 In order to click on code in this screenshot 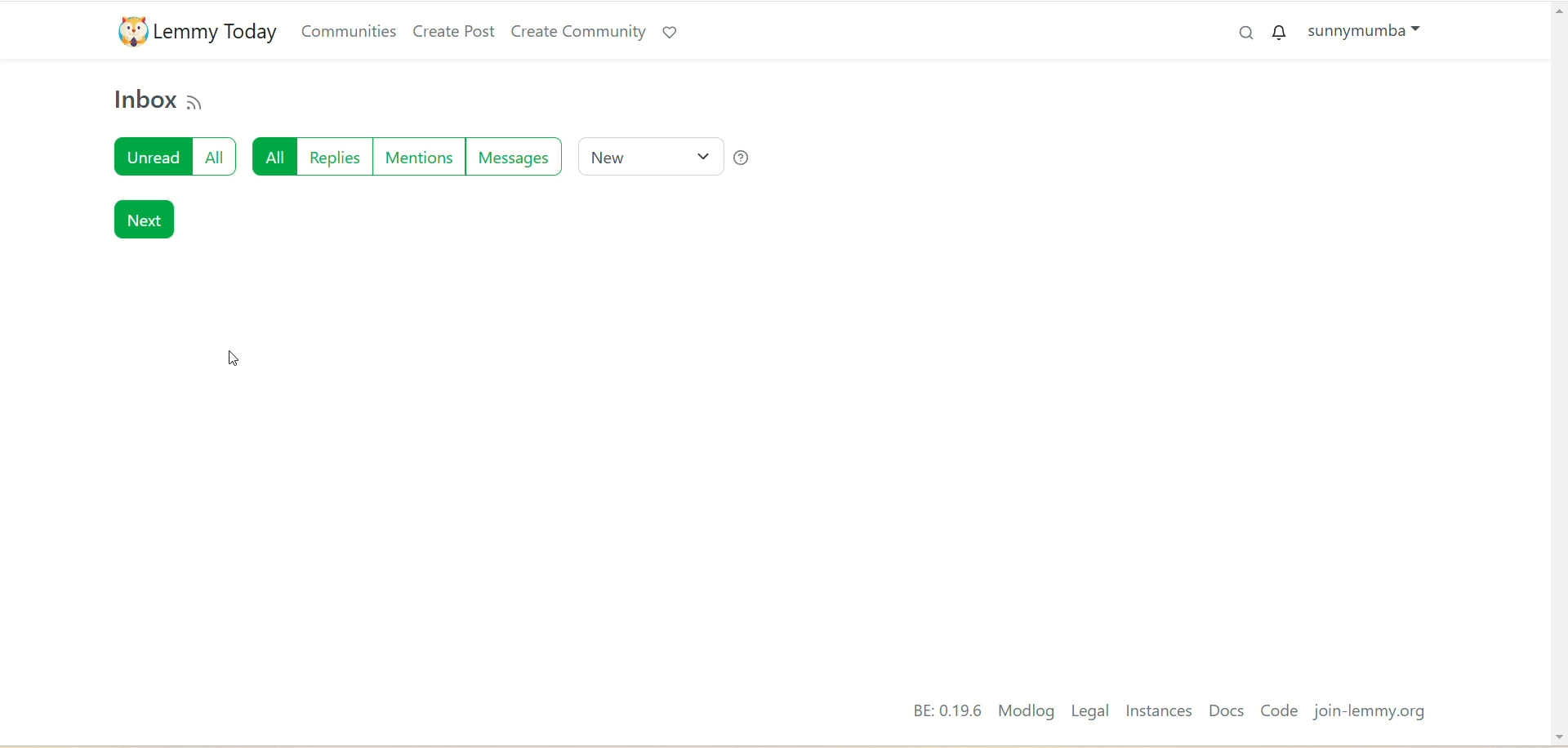, I will do `click(1283, 712)`.